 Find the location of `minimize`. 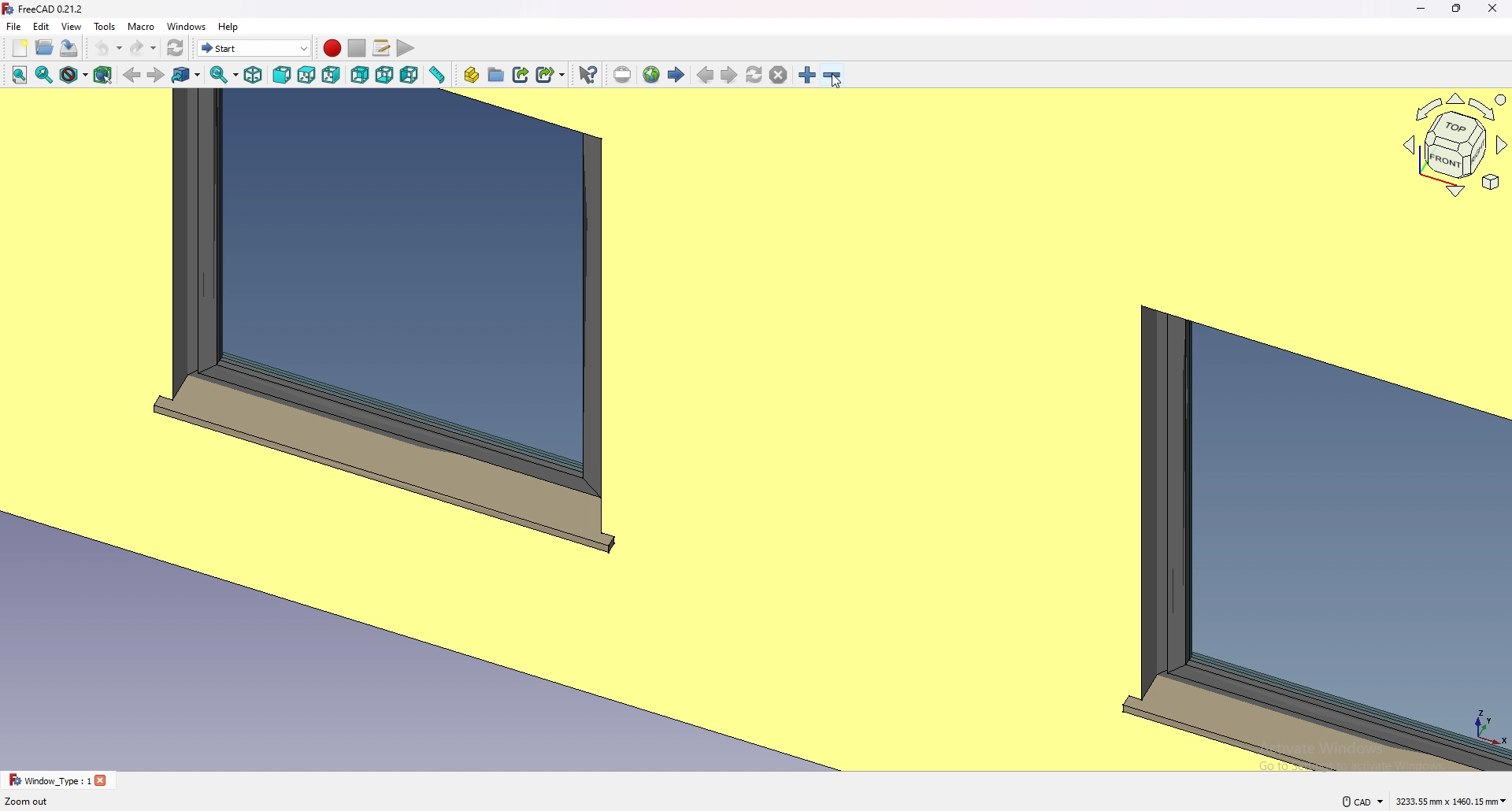

minimize is located at coordinates (1422, 9).